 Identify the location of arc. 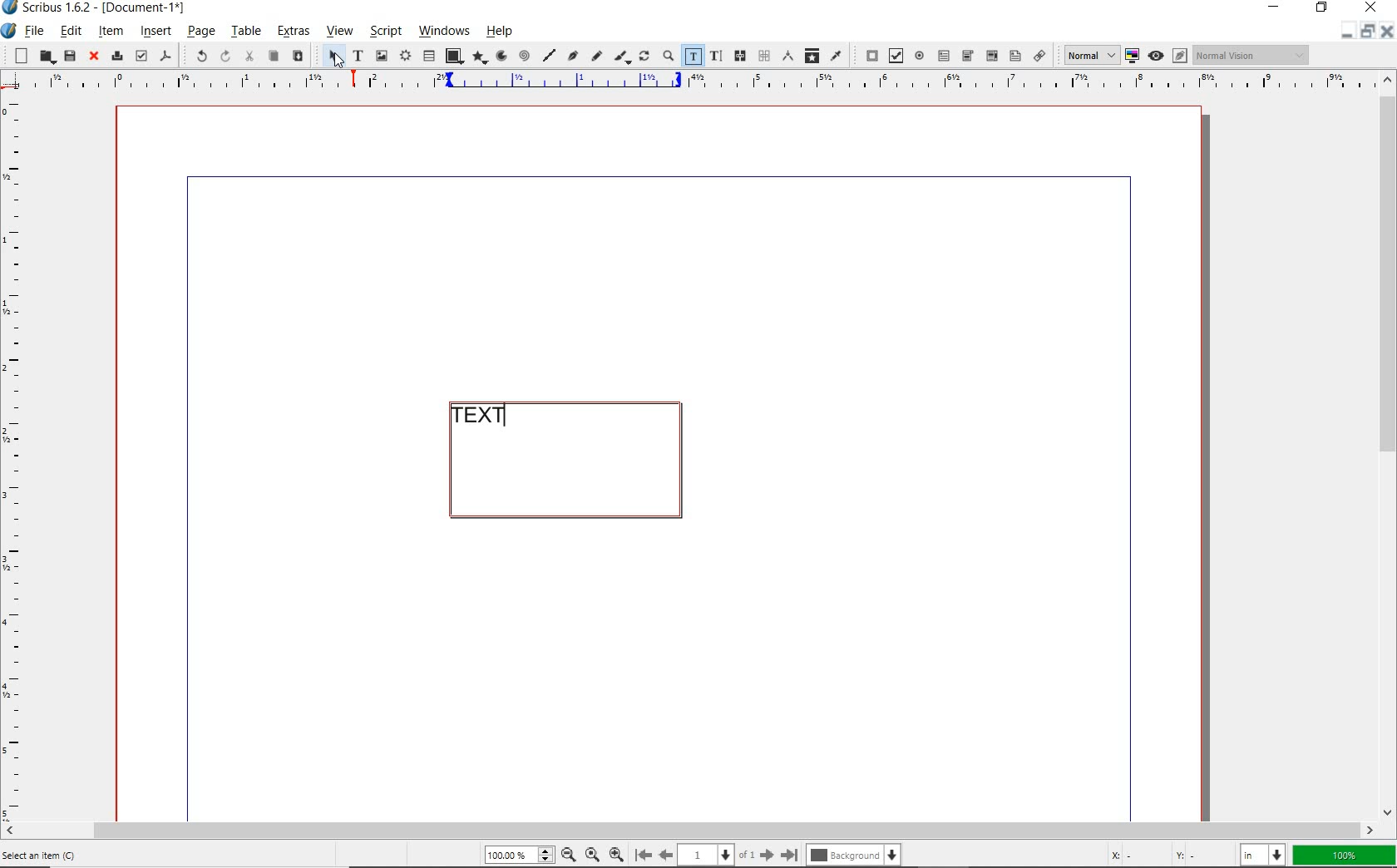
(502, 56).